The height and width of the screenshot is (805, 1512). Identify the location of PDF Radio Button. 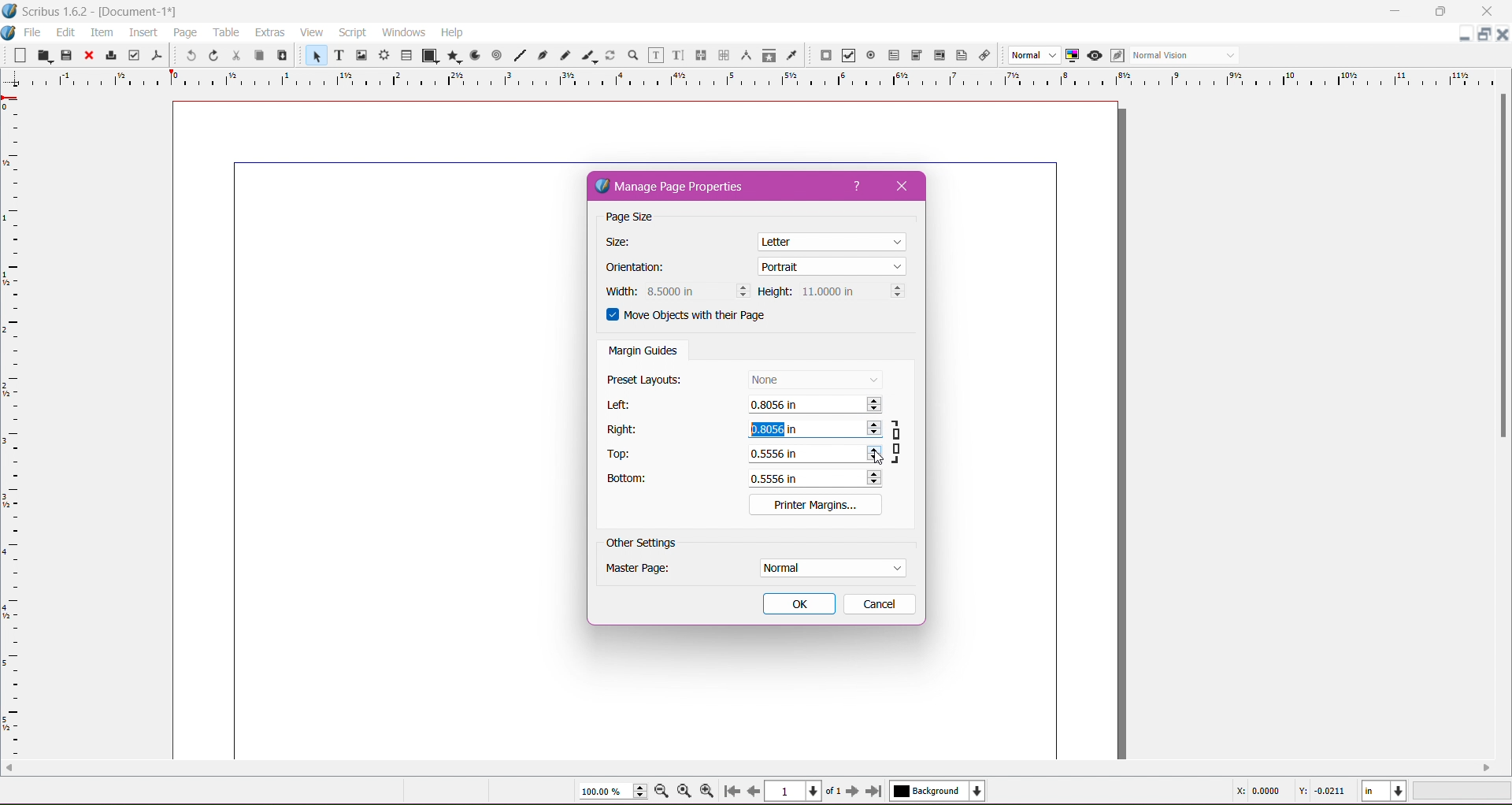
(871, 56).